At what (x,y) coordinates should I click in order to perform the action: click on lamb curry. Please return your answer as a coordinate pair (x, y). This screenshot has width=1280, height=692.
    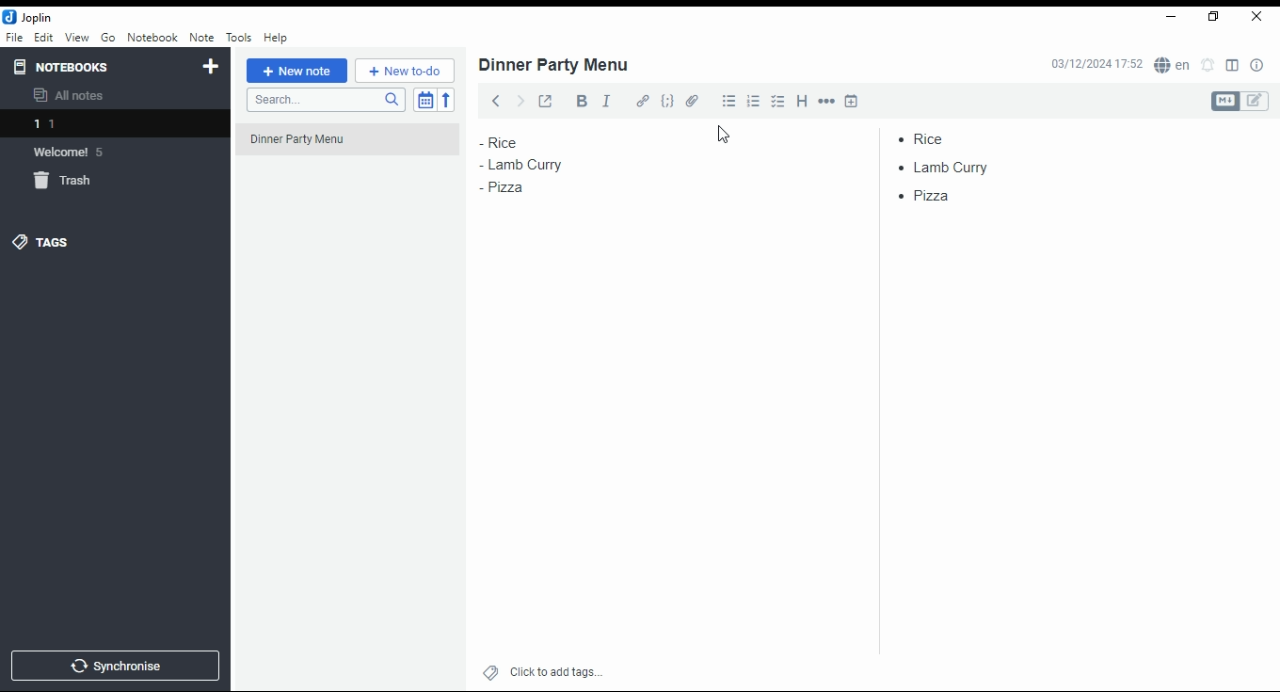
    Looking at the image, I should click on (950, 167).